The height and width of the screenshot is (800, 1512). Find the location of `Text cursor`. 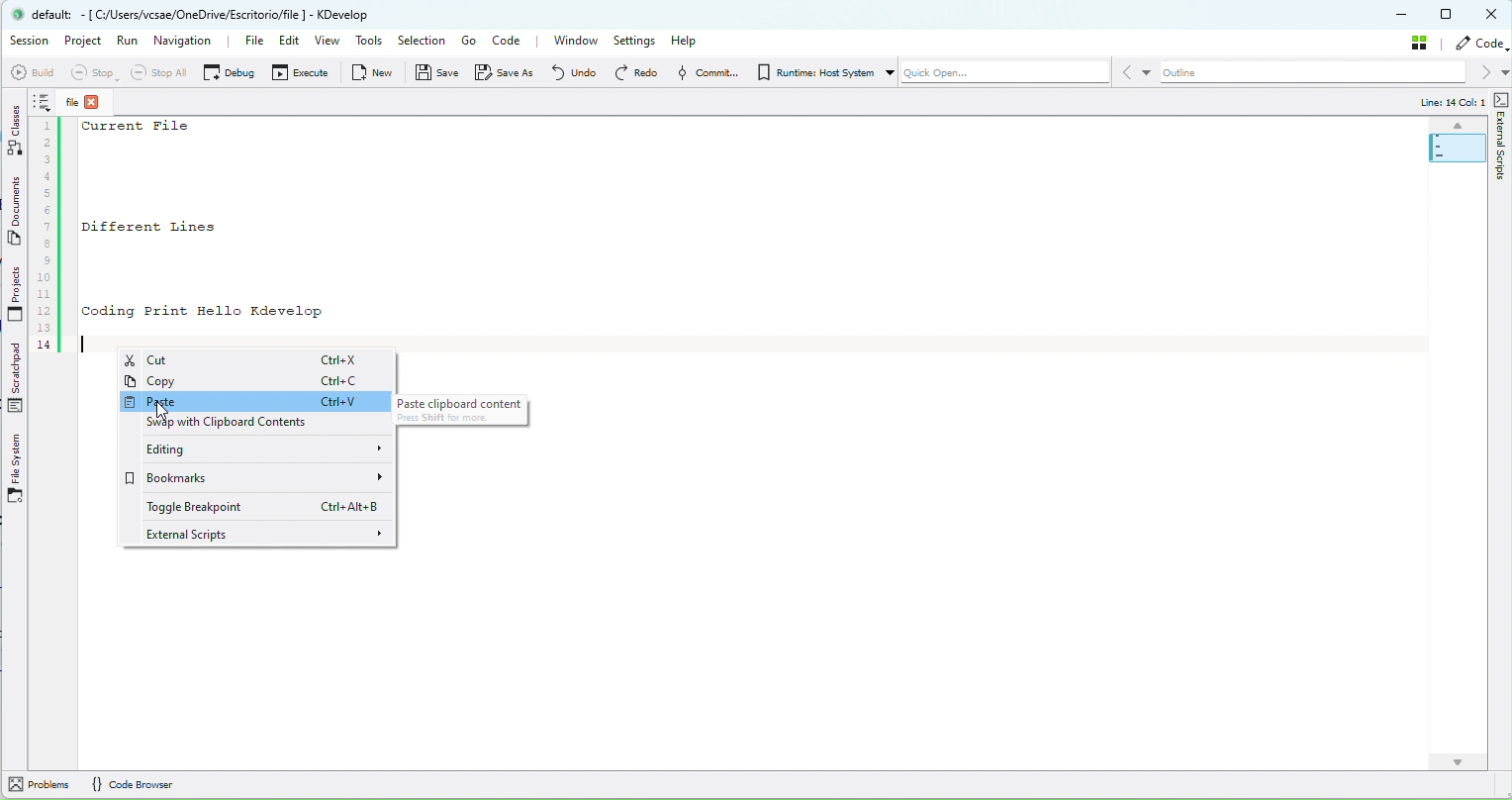

Text cursor is located at coordinates (87, 345).